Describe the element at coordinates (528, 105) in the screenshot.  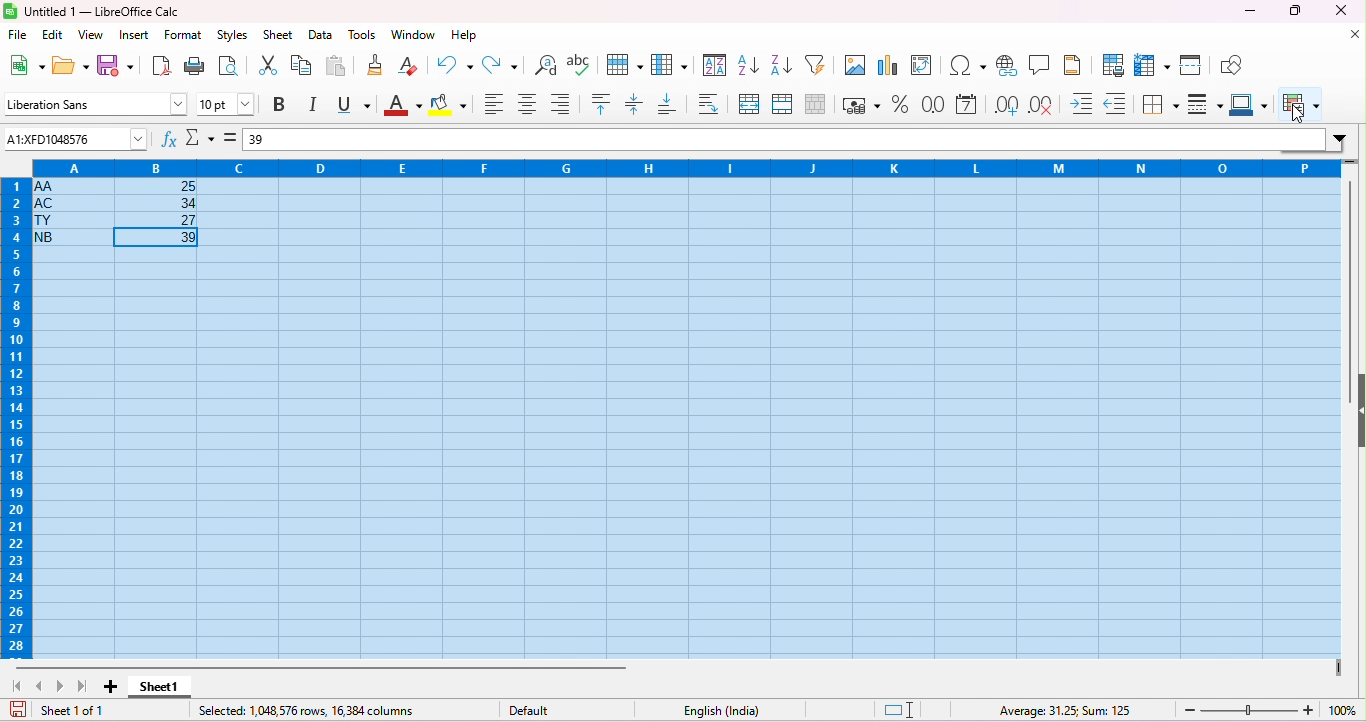
I see `align center` at that location.